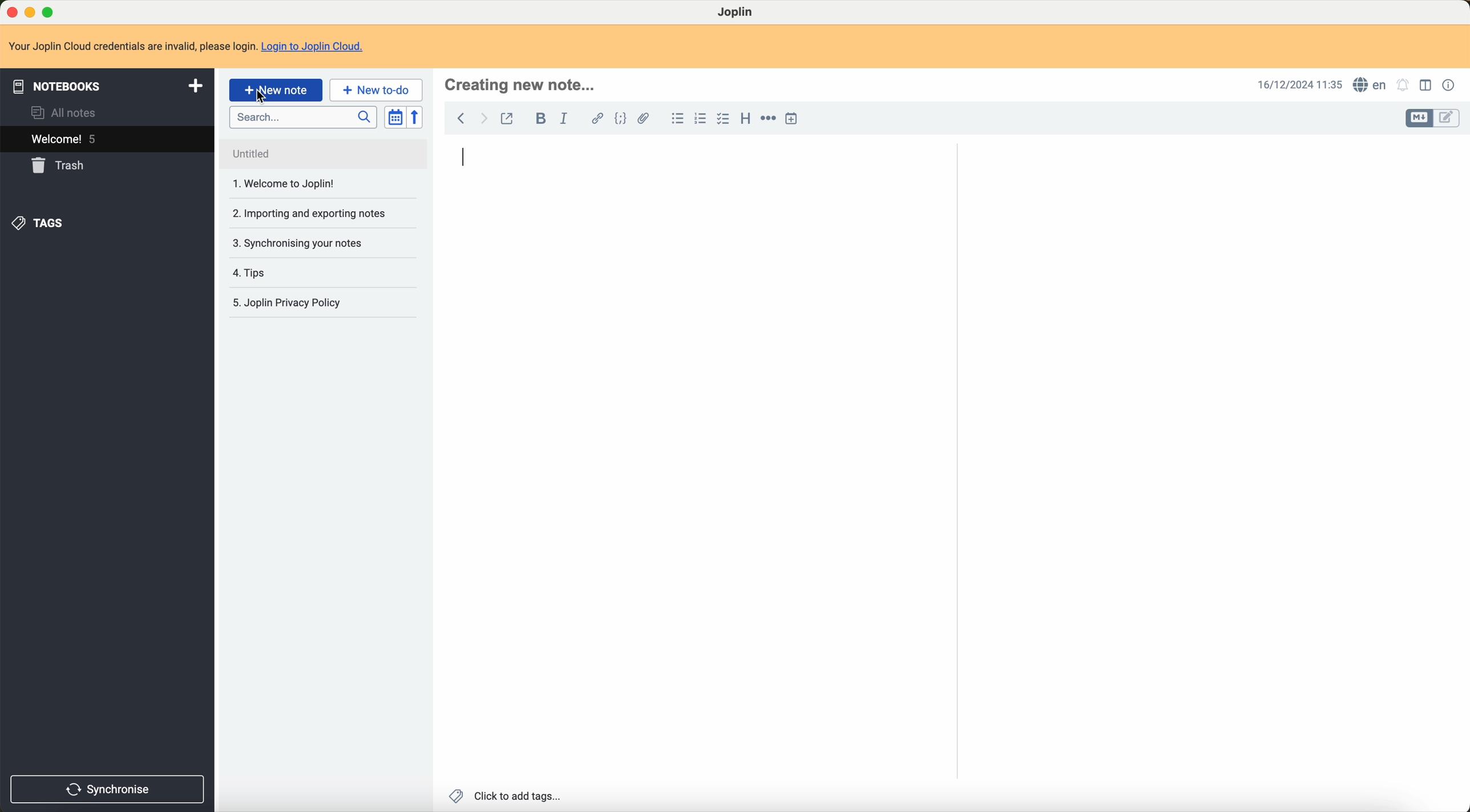 The image size is (1470, 812). I want to click on all notes, so click(64, 114).